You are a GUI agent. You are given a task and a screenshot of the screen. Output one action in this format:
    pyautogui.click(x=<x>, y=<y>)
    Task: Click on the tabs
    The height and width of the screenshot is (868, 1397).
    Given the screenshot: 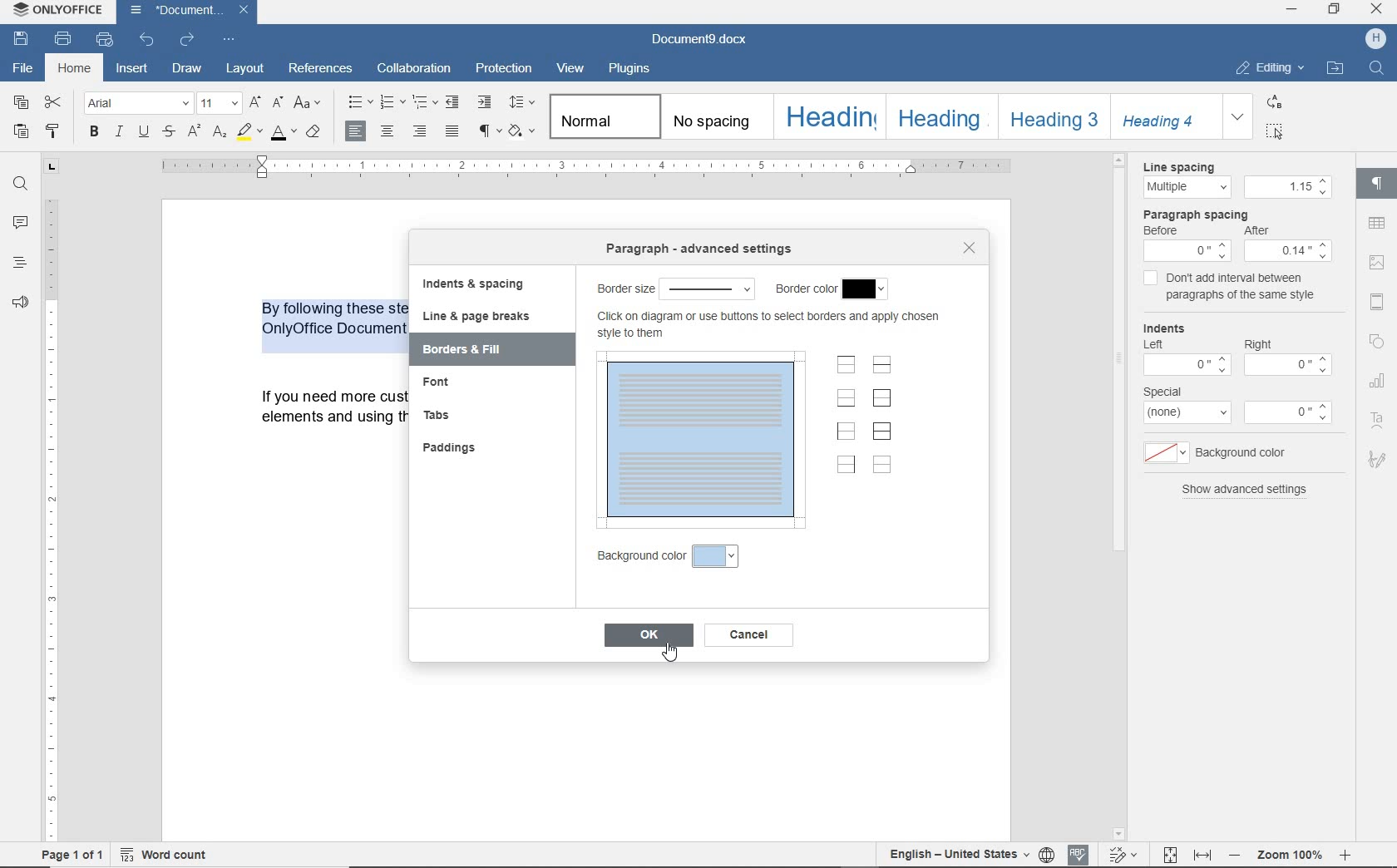 What is the action you would take?
    pyautogui.click(x=443, y=416)
    